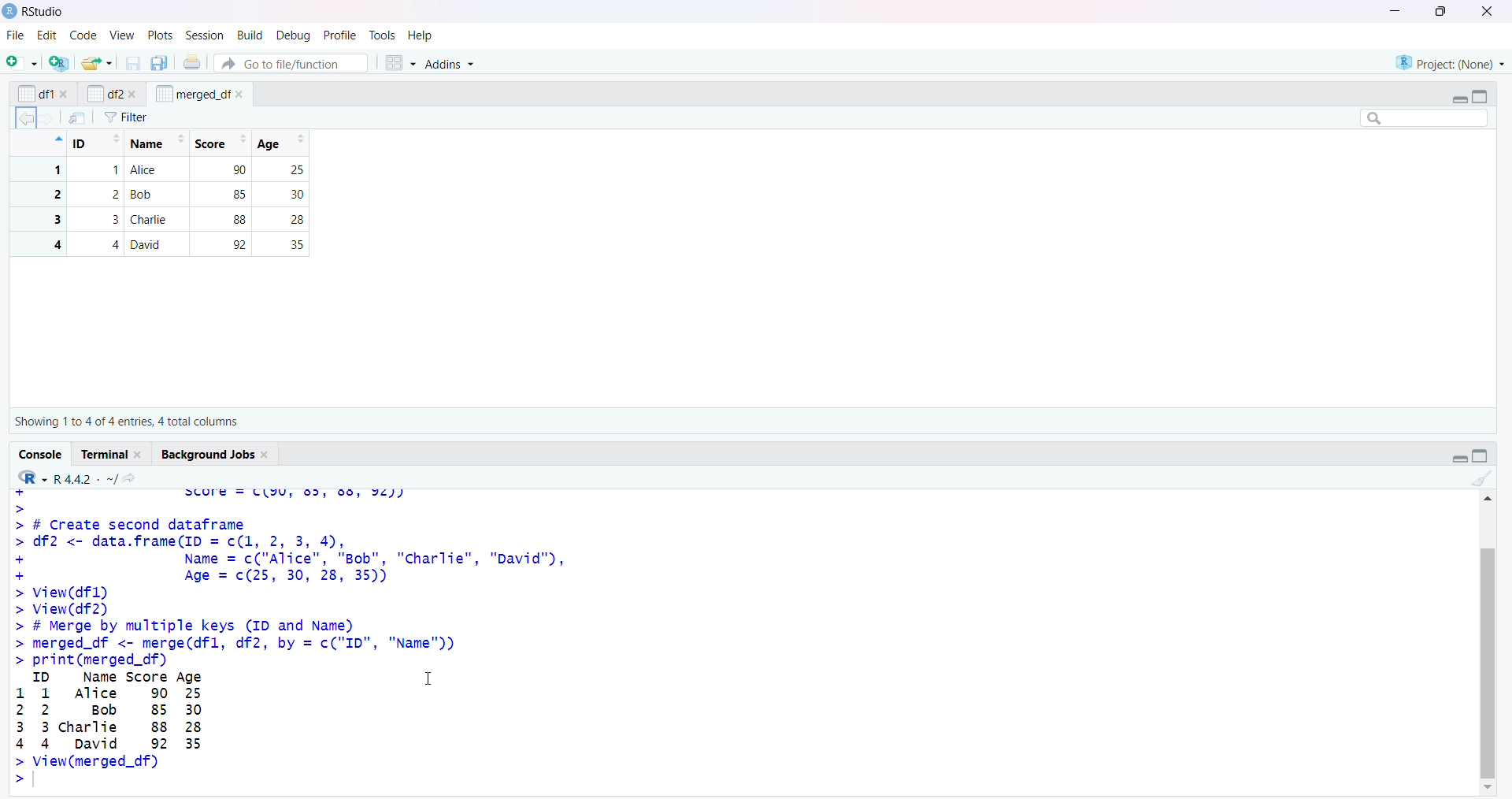  What do you see at coordinates (1459, 459) in the screenshot?
I see `Collapse/expand ` at bounding box center [1459, 459].